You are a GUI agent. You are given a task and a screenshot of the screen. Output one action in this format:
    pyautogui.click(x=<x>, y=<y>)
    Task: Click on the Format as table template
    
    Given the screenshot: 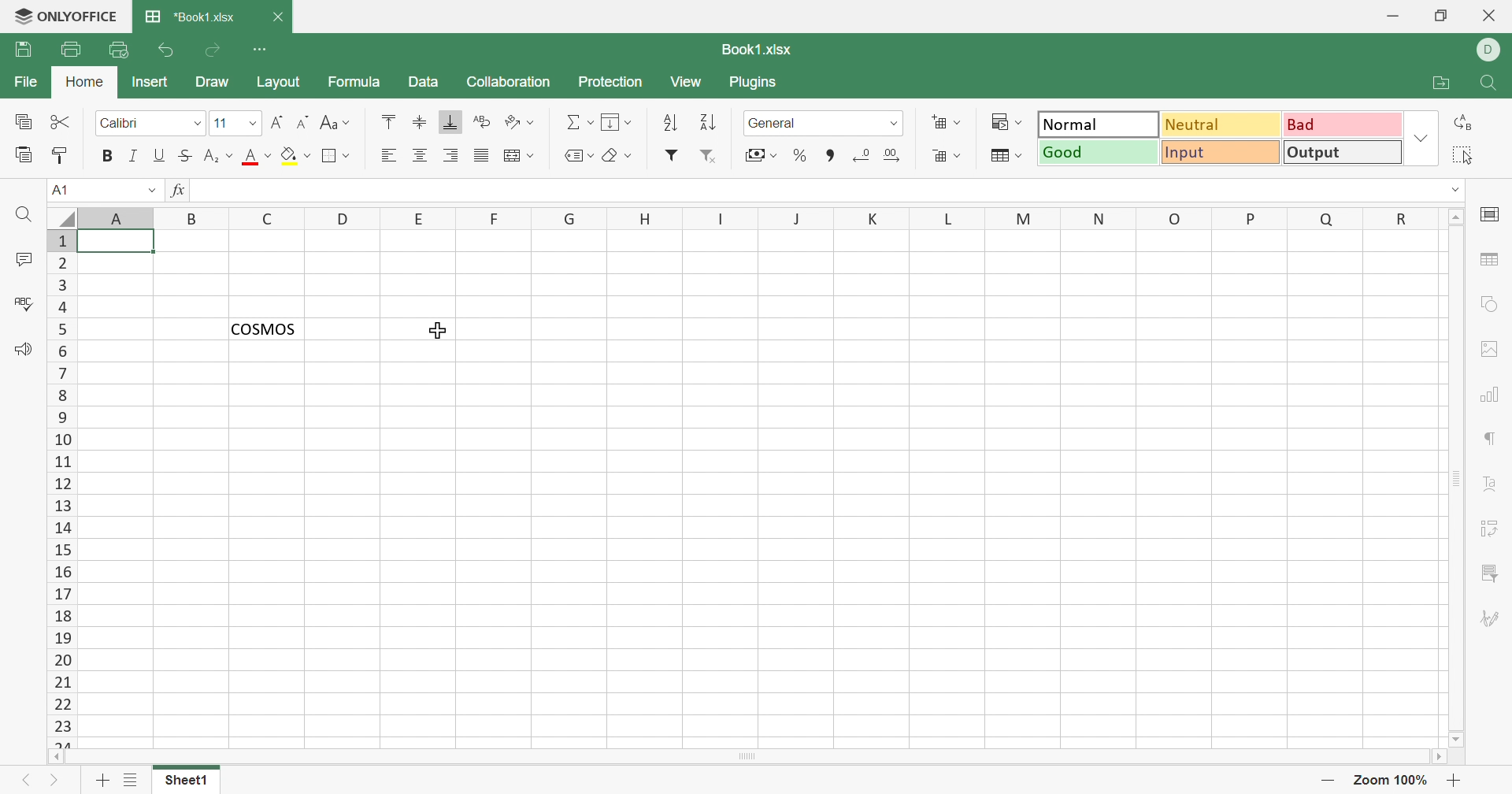 What is the action you would take?
    pyautogui.click(x=1007, y=157)
    